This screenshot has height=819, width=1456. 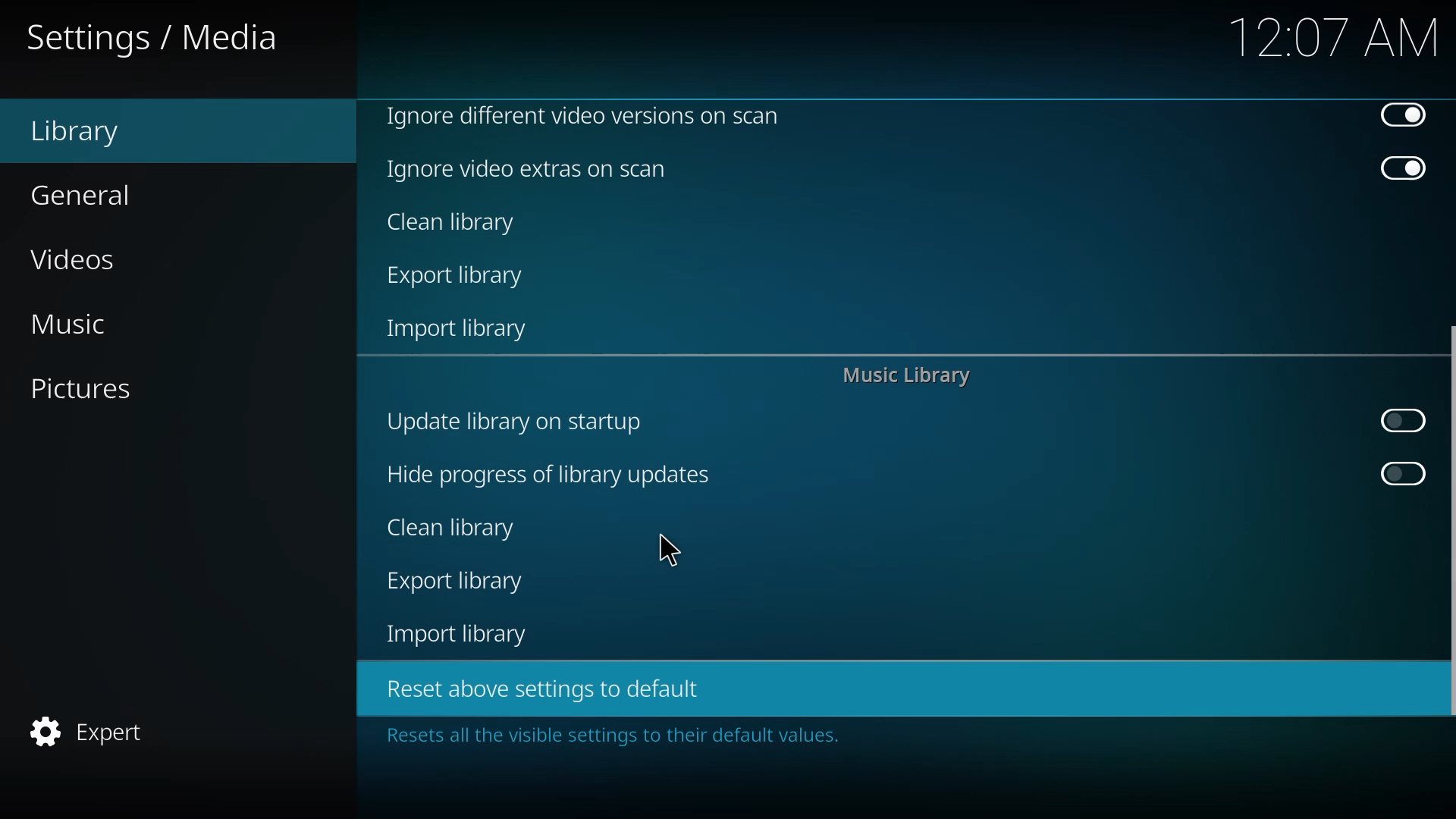 I want to click on click to enable, so click(x=1401, y=474).